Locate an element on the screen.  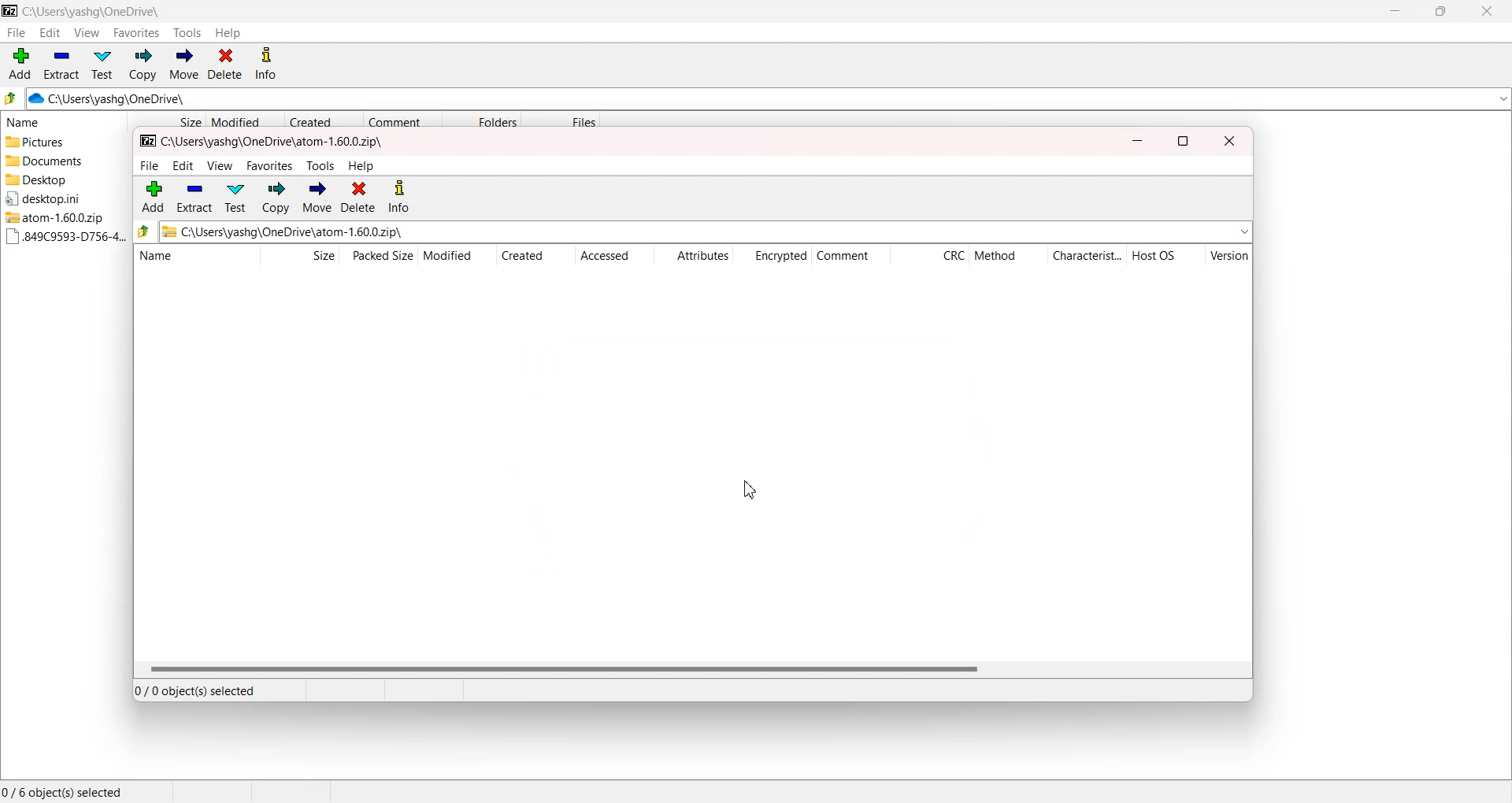
Files is located at coordinates (562, 120).